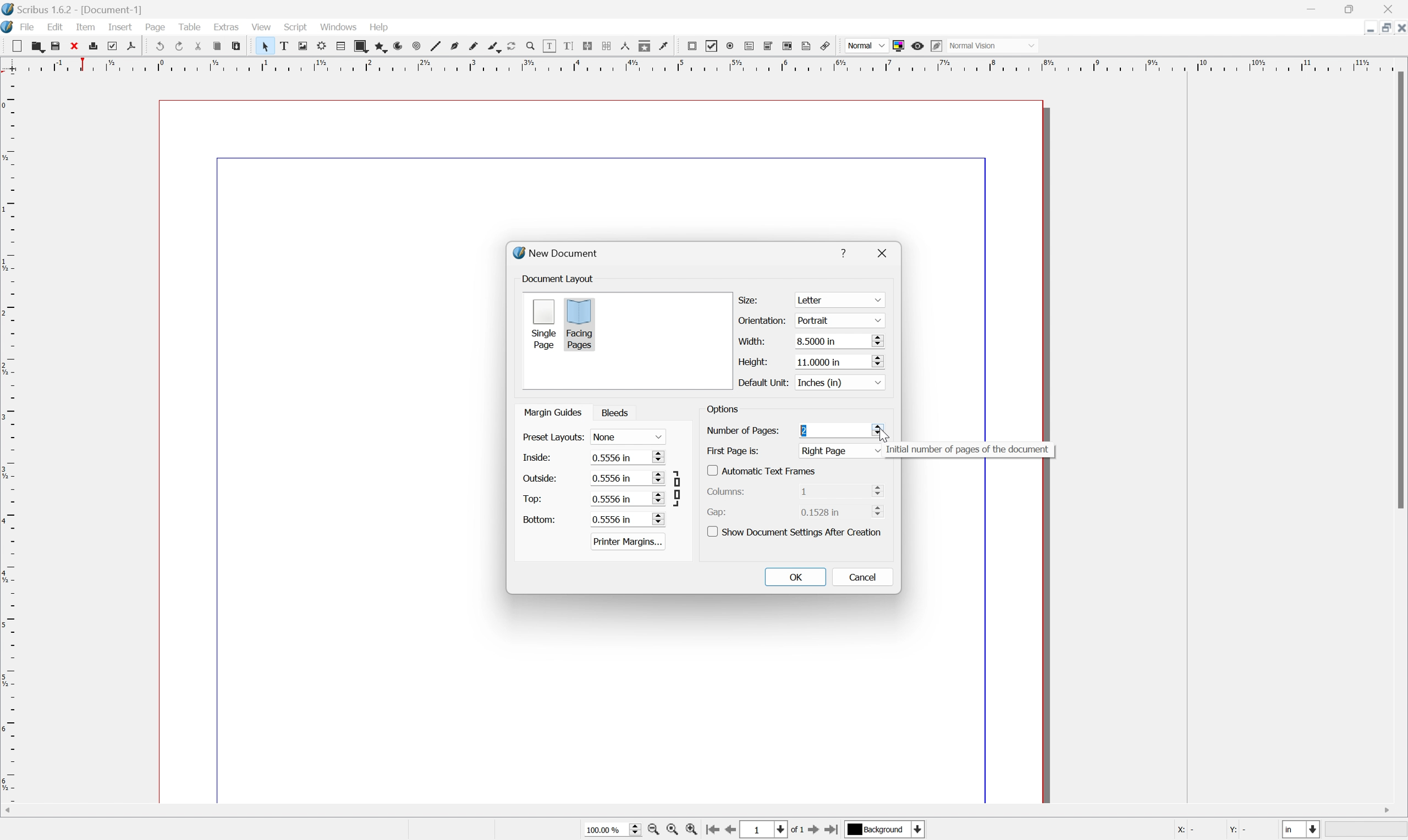  Describe the element at coordinates (665, 46) in the screenshot. I see `Eye dropper` at that location.